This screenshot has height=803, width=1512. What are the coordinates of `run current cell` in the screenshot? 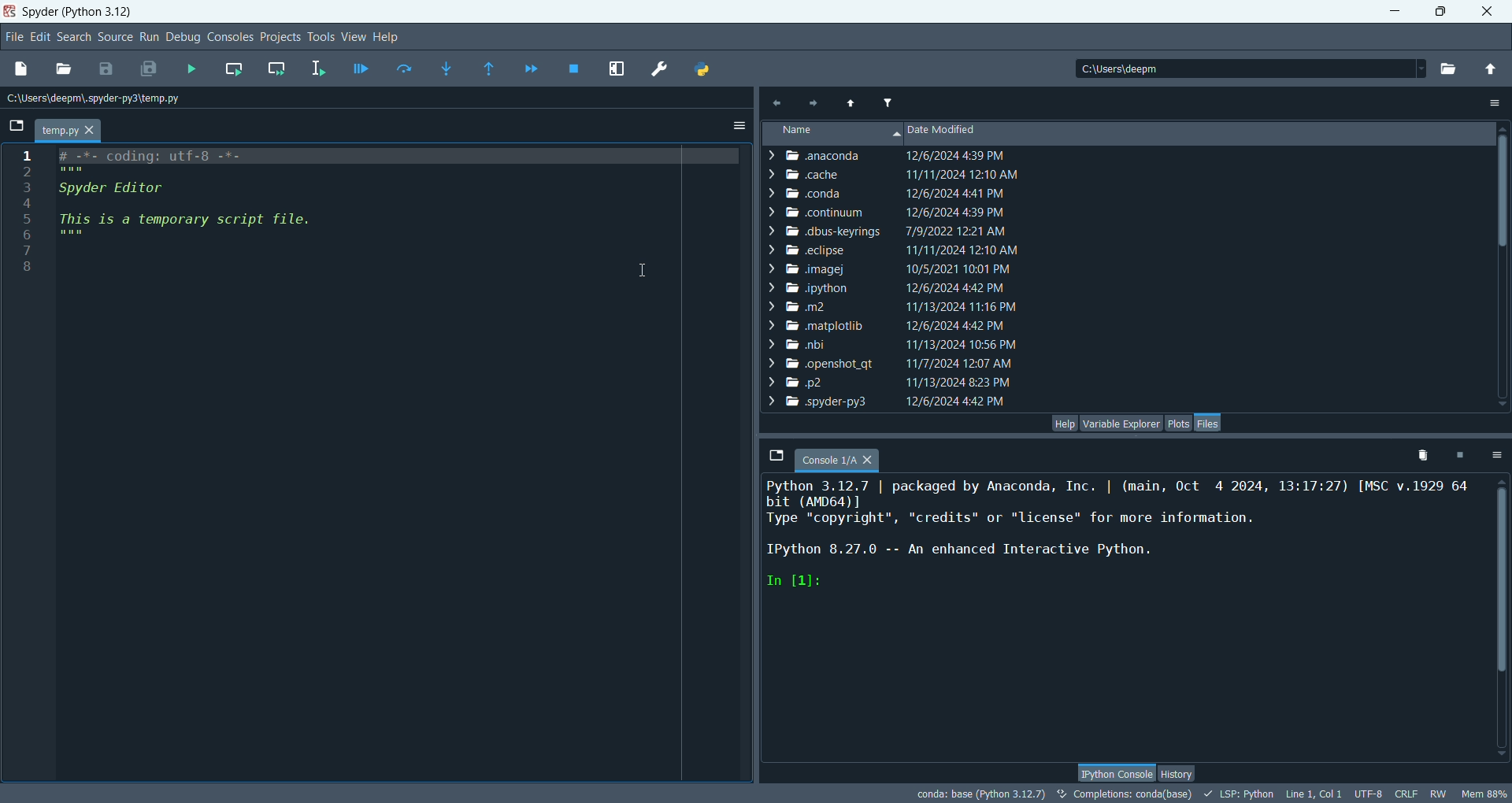 It's located at (234, 69).